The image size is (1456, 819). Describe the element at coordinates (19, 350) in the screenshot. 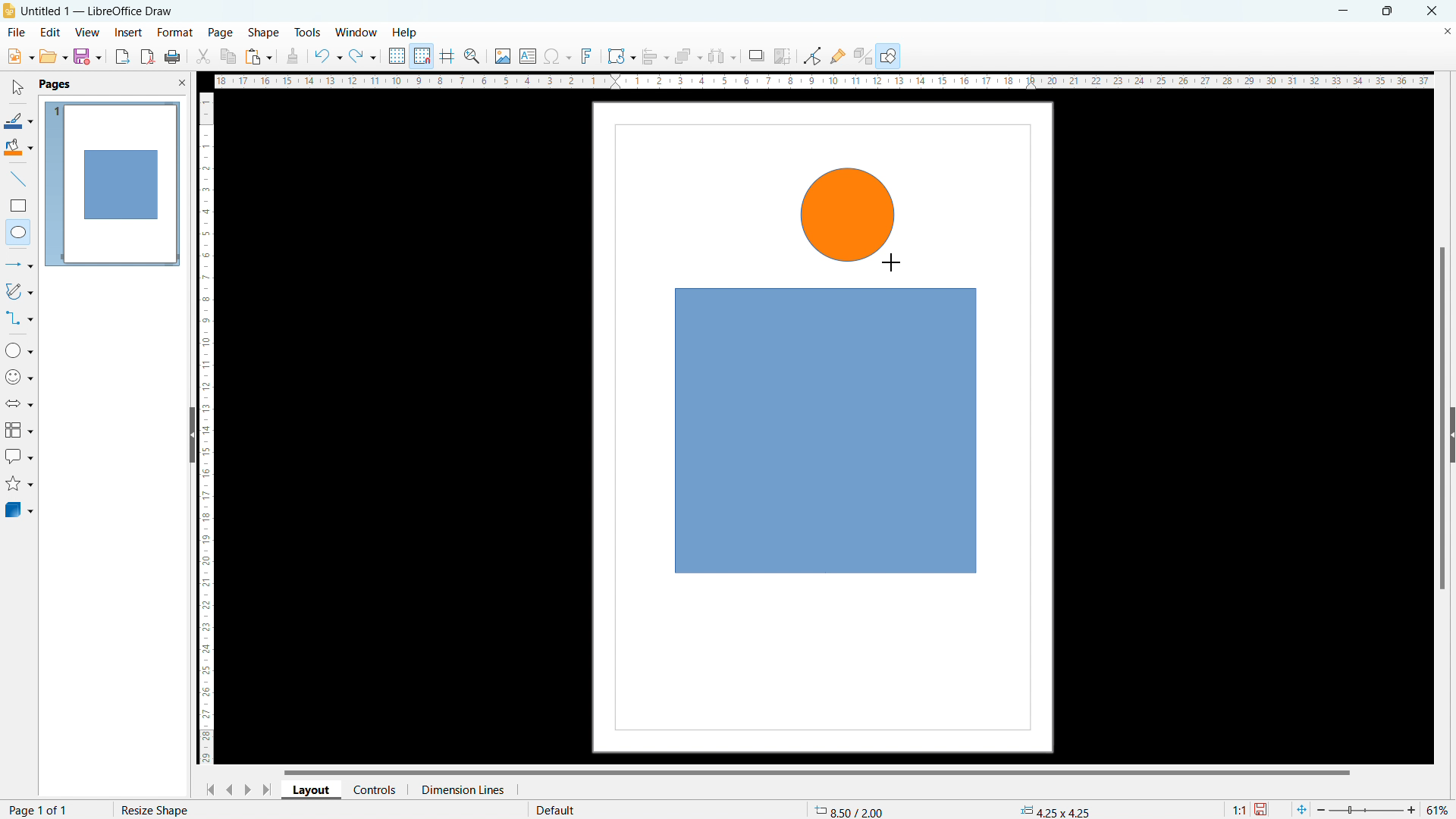

I see `basic shapes` at that location.